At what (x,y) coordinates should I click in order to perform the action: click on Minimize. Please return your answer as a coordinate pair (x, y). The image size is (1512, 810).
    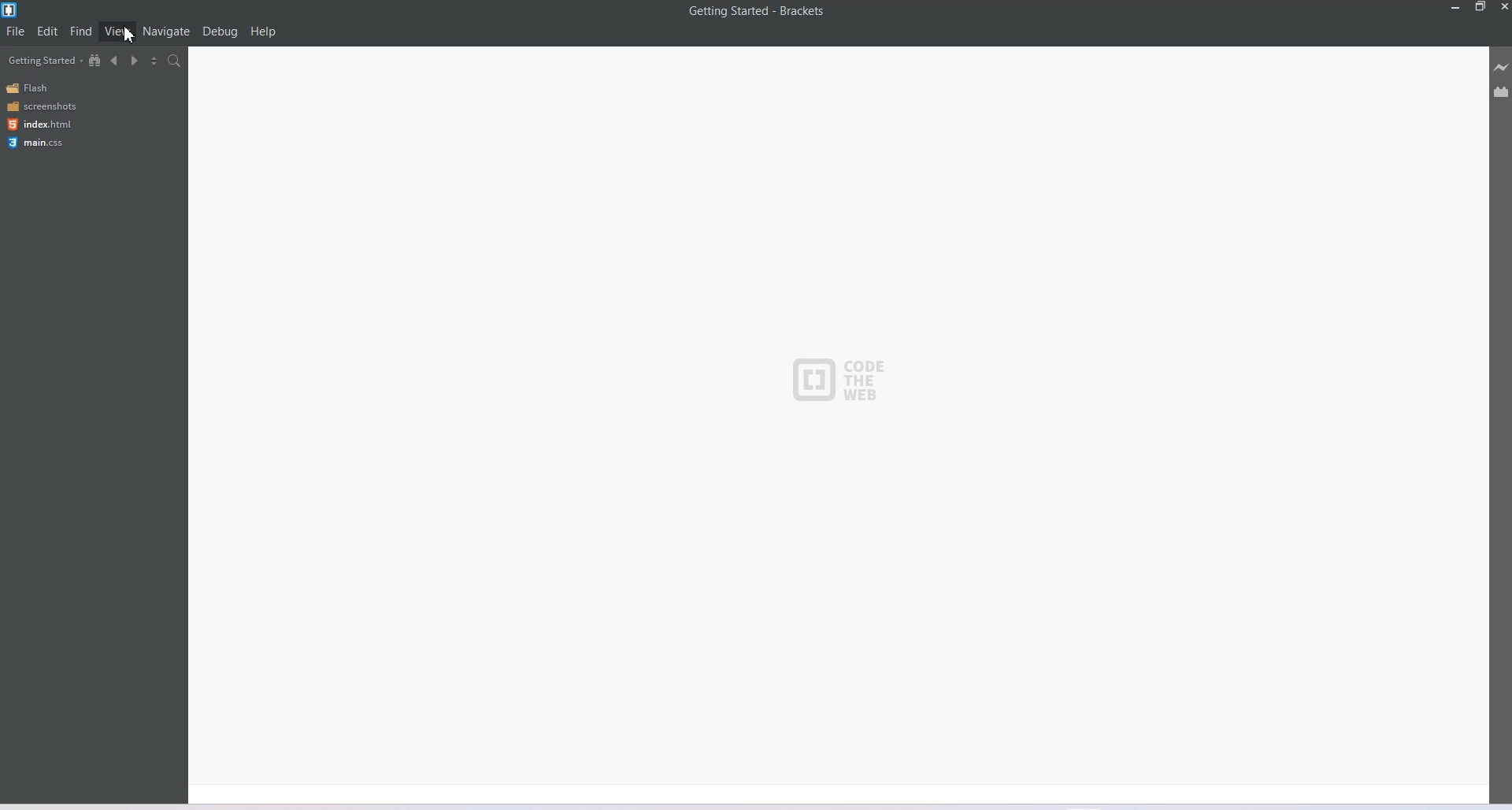
    Looking at the image, I should click on (1456, 7).